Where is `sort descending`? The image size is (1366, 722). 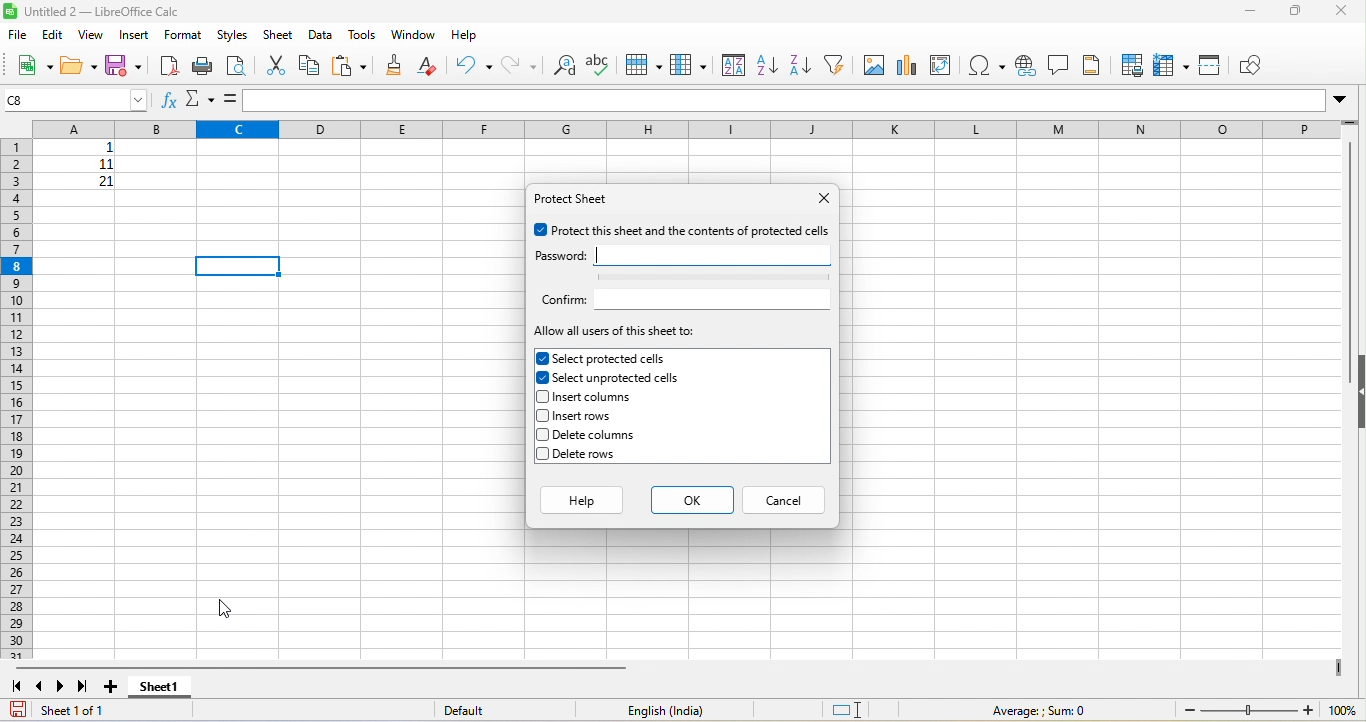 sort descending is located at coordinates (799, 64).